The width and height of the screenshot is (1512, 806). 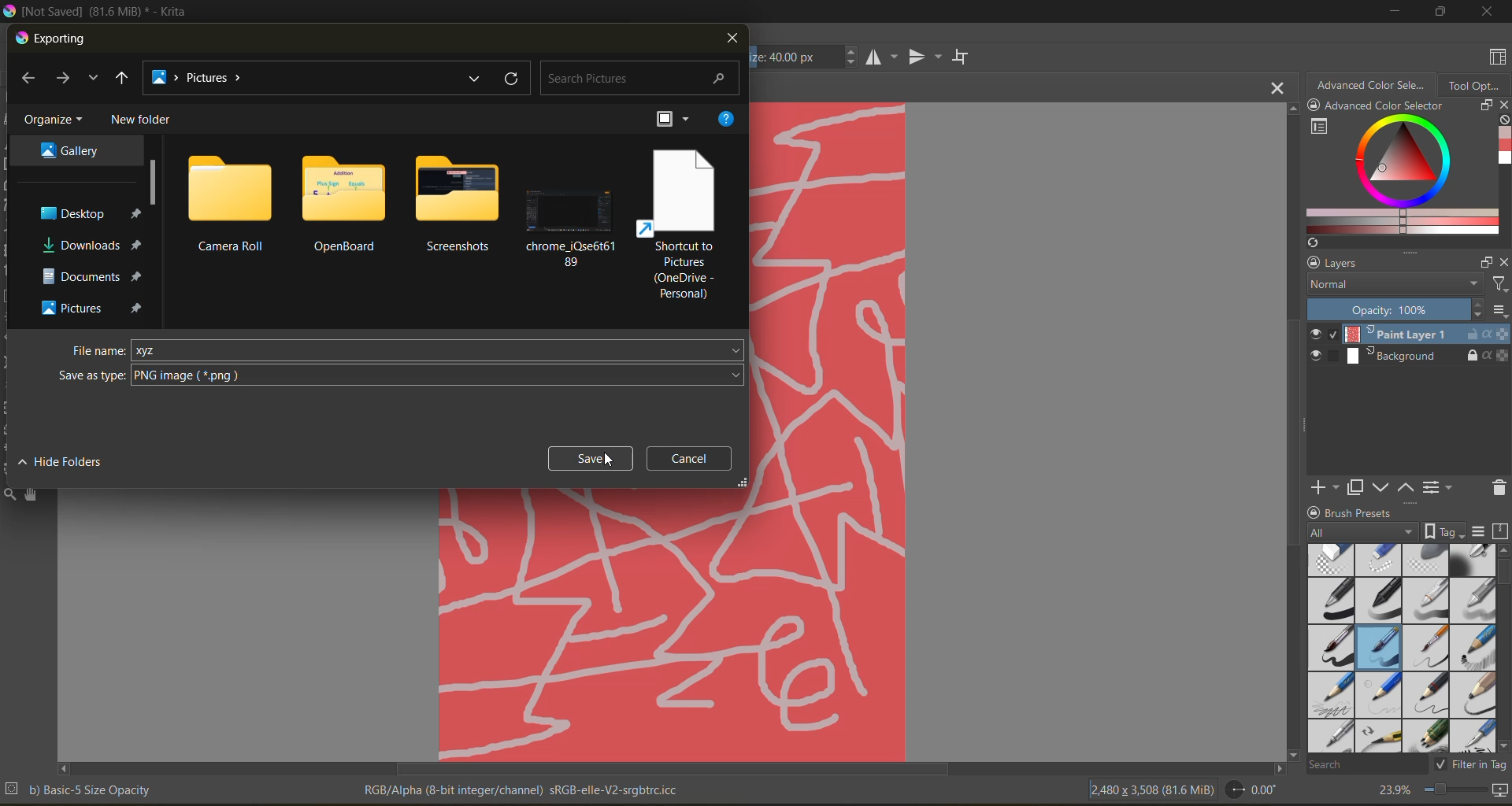 What do you see at coordinates (1371, 83) in the screenshot?
I see `advanced color selector` at bounding box center [1371, 83].